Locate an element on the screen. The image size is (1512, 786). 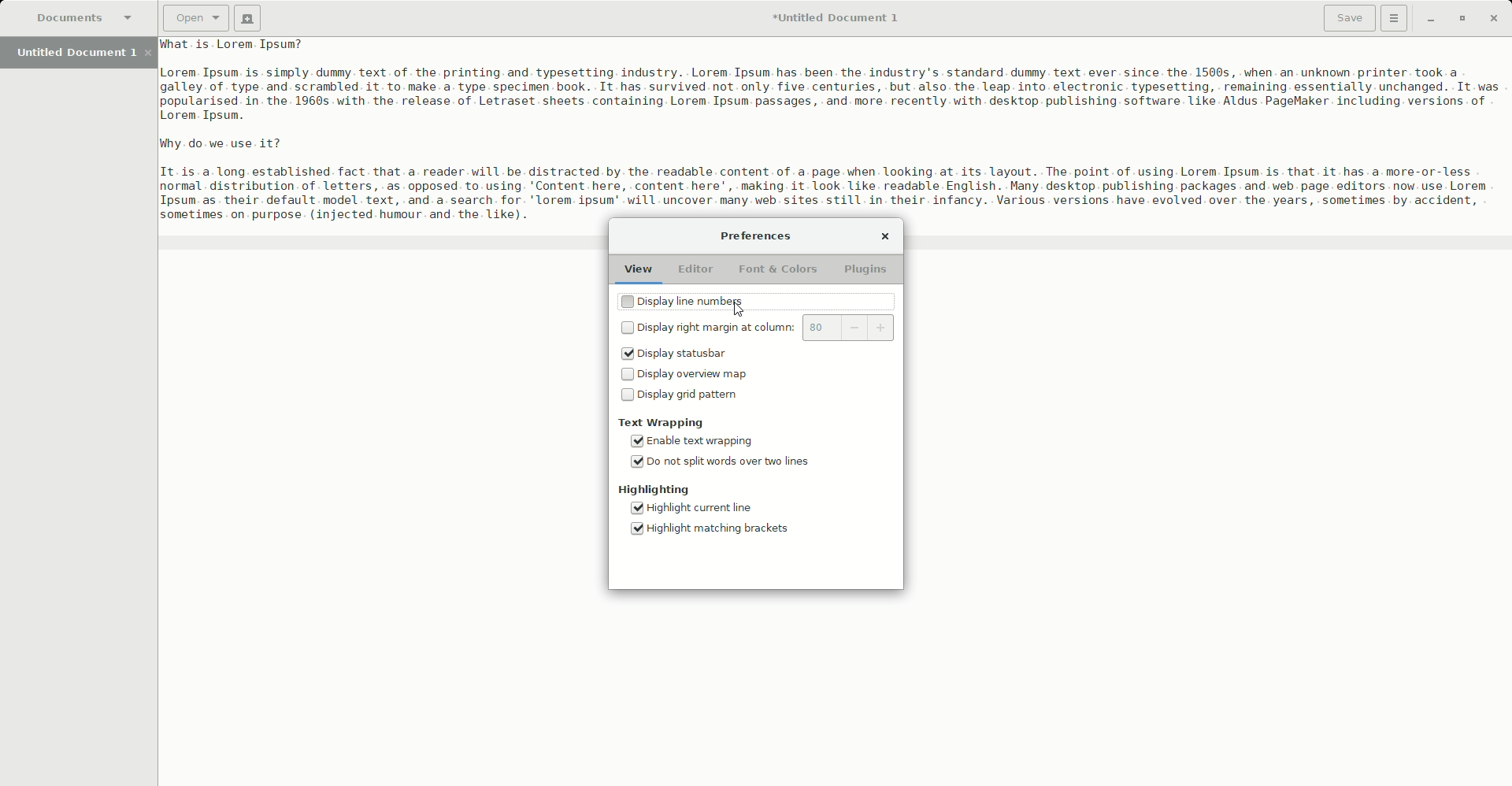
Close is located at coordinates (1493, 17).